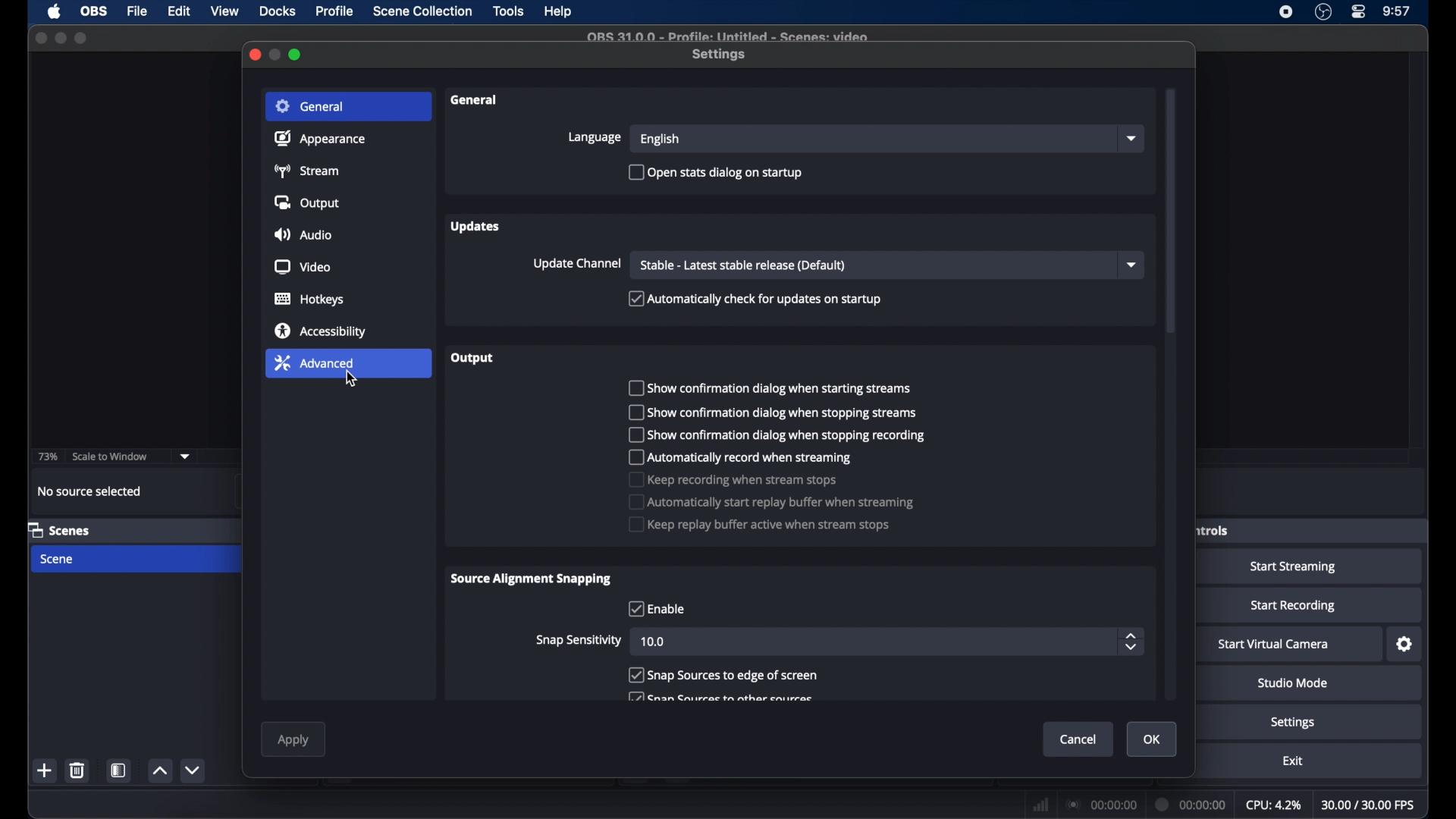  What do you see at coordinates (1360, 12) in the screenshot?
I see `control center` at bounding box center [1360, 12].